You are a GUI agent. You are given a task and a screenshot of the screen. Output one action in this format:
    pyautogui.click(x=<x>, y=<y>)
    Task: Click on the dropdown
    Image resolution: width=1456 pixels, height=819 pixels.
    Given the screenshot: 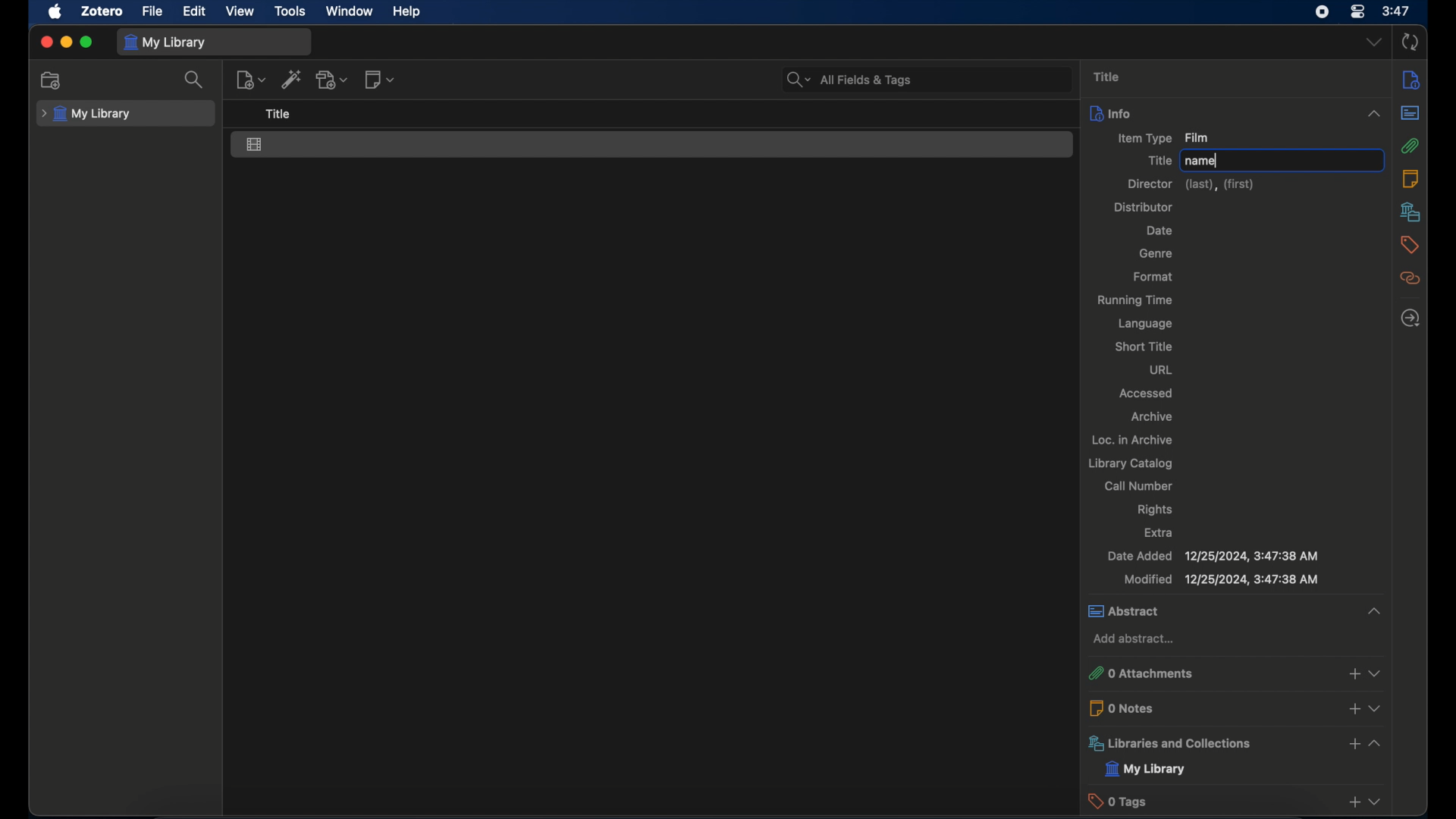 What is the action you would take?
    pyautogui.click(x=1373, y=43)
    